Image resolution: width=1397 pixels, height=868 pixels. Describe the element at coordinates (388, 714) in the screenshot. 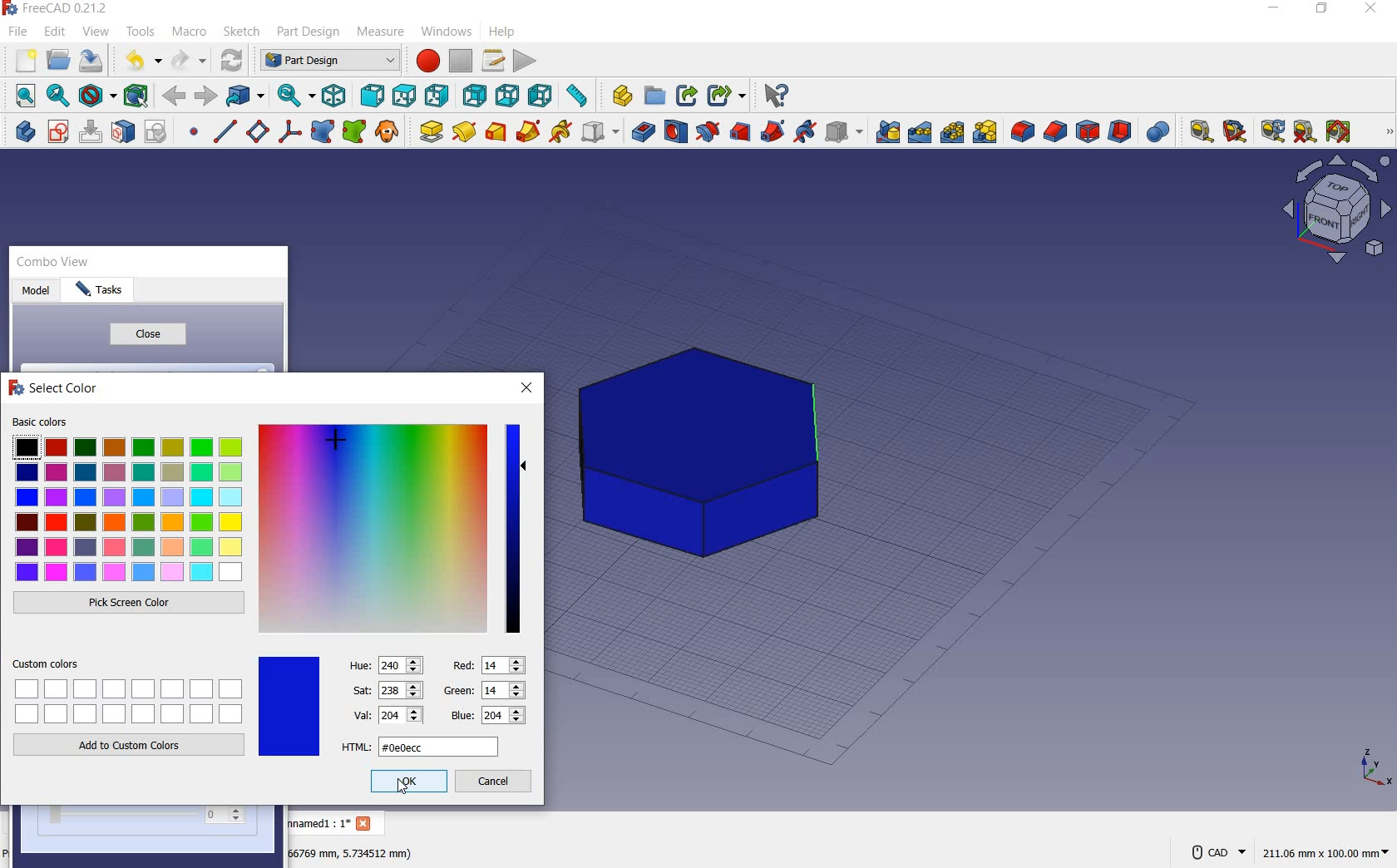

I see `Val: 204` at that location.